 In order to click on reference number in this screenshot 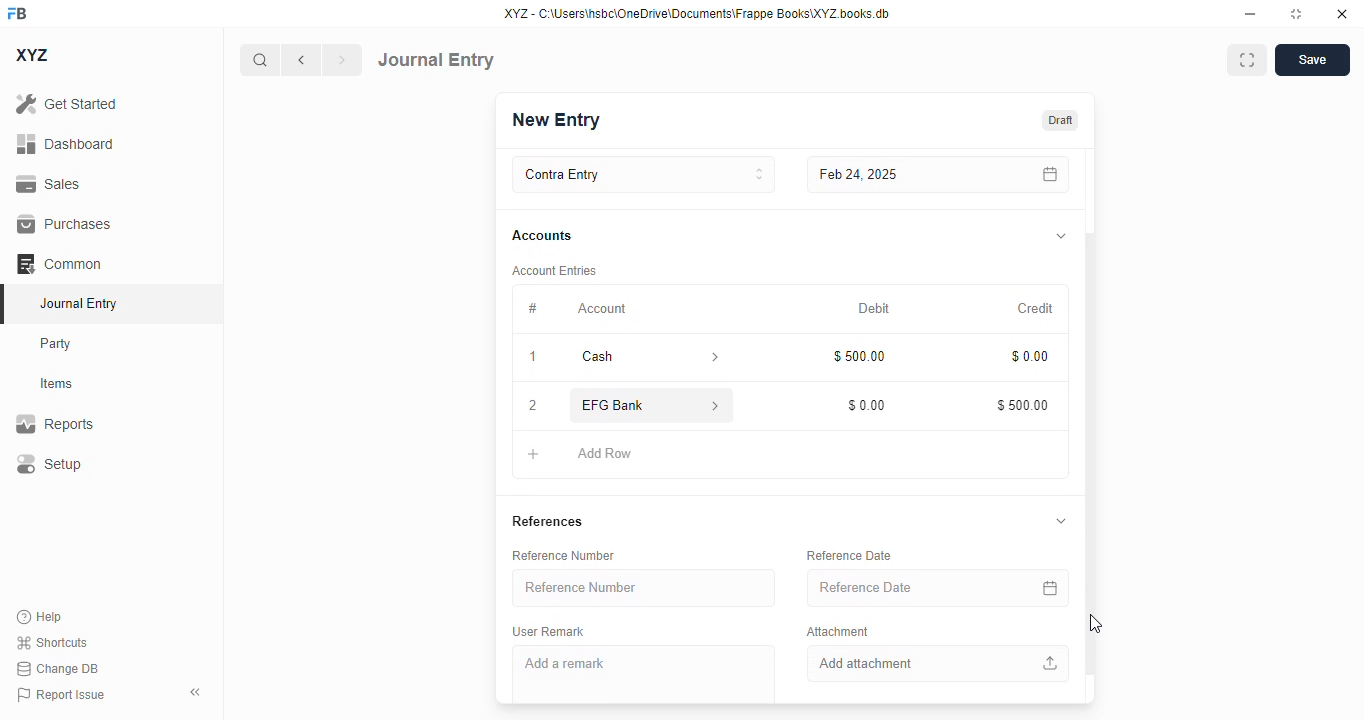, I will do `click(564, 556)`.